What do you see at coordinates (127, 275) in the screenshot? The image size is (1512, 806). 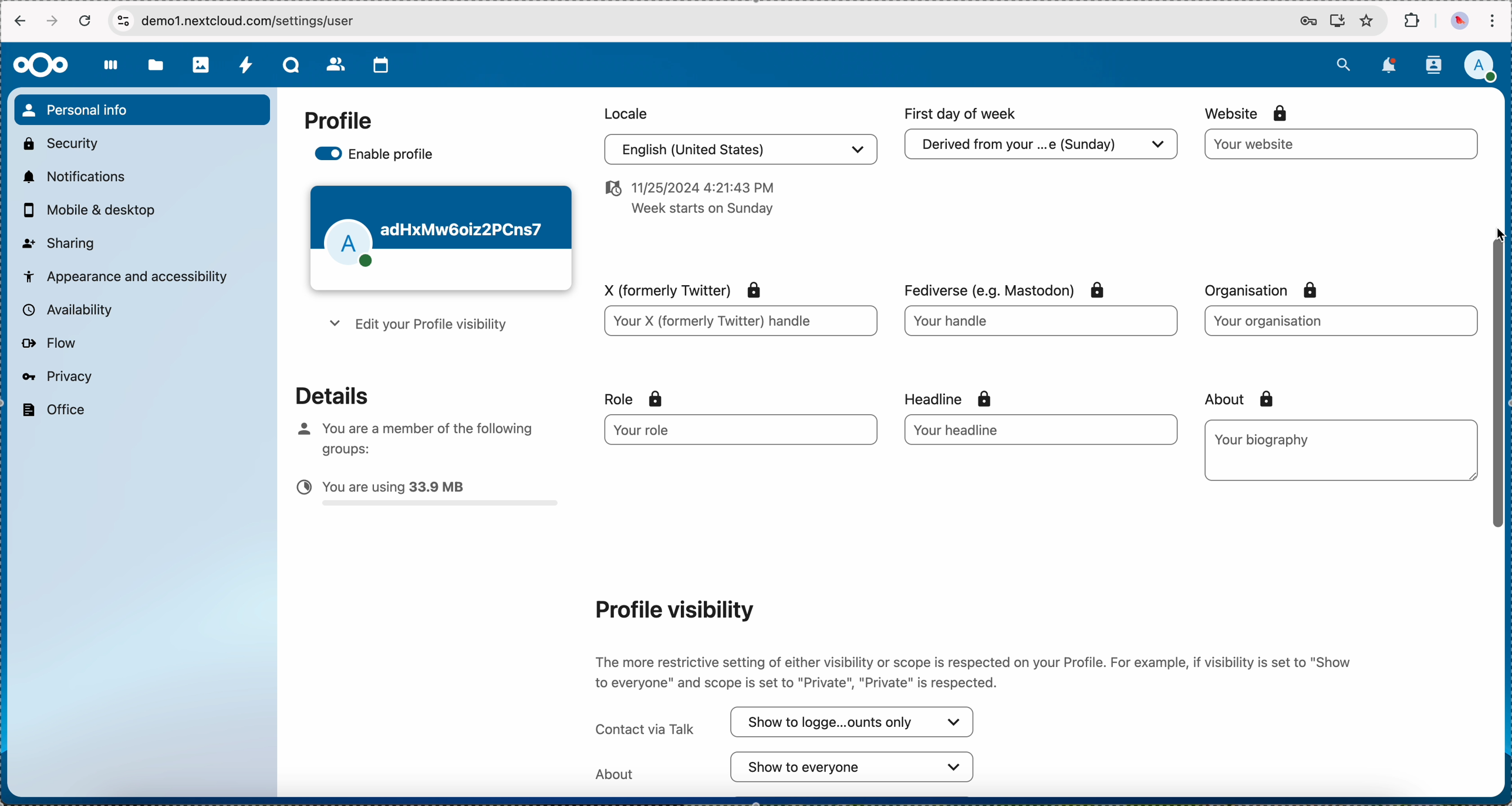 I see `appearance and accessibility` at bounding box center [127, 275].